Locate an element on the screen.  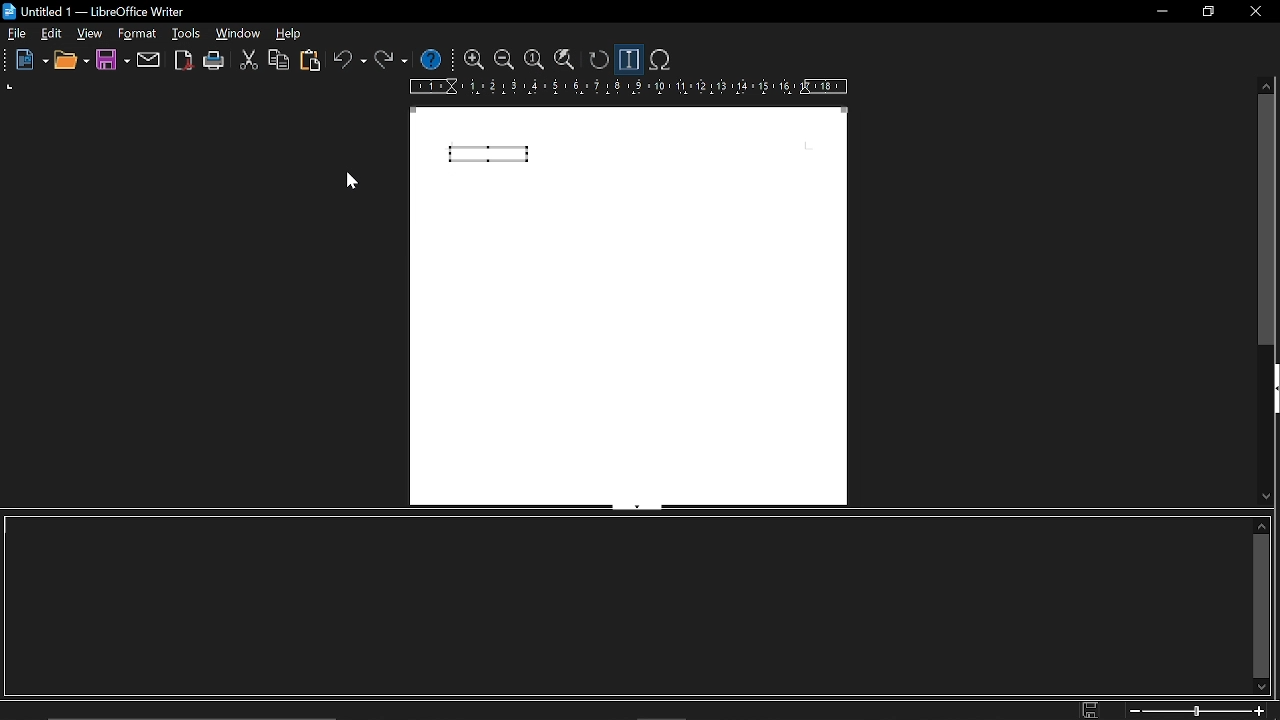
restore down is located at coordinates (1206, 13).